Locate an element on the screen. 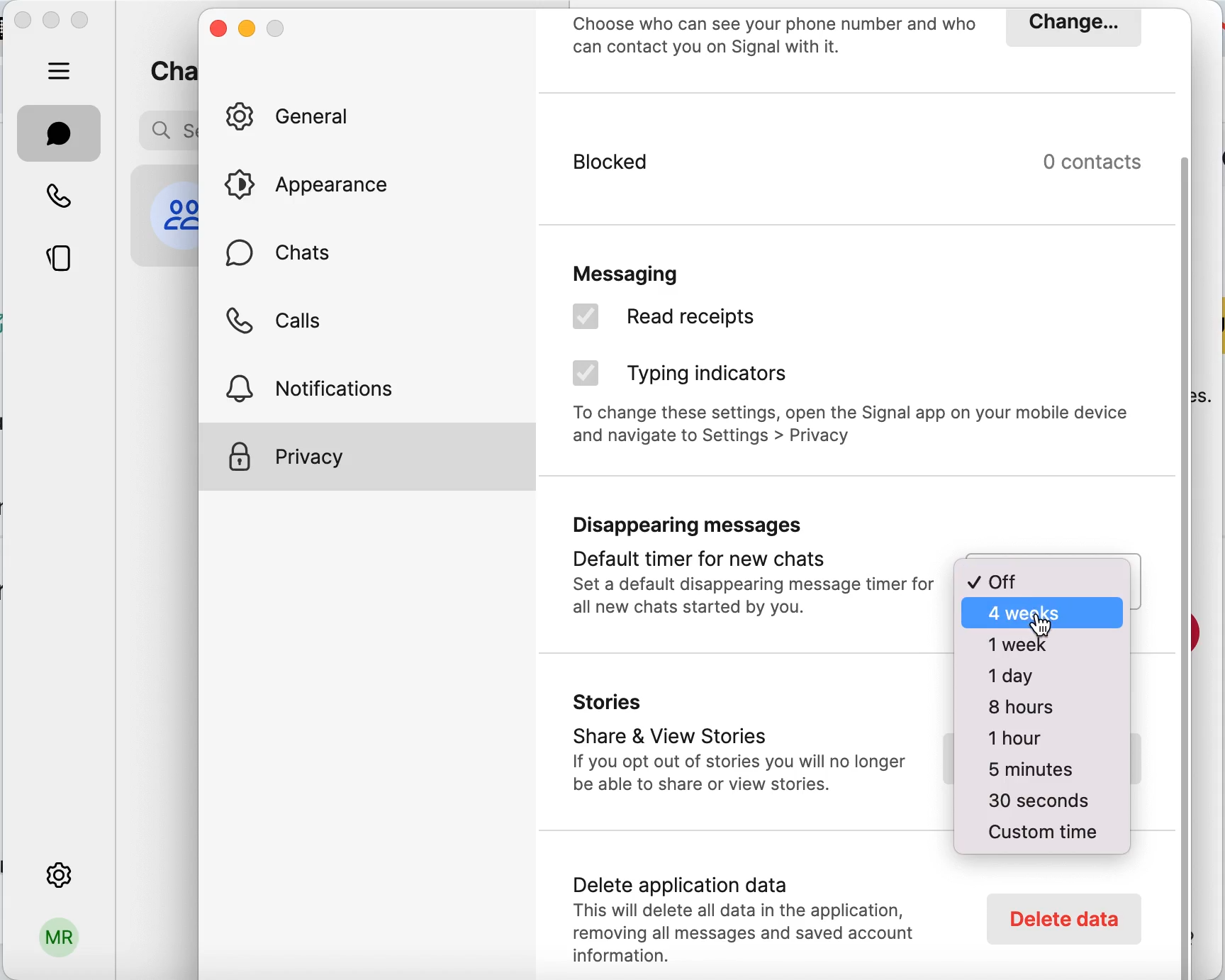  1 day is located at coordinates (1022, 674).